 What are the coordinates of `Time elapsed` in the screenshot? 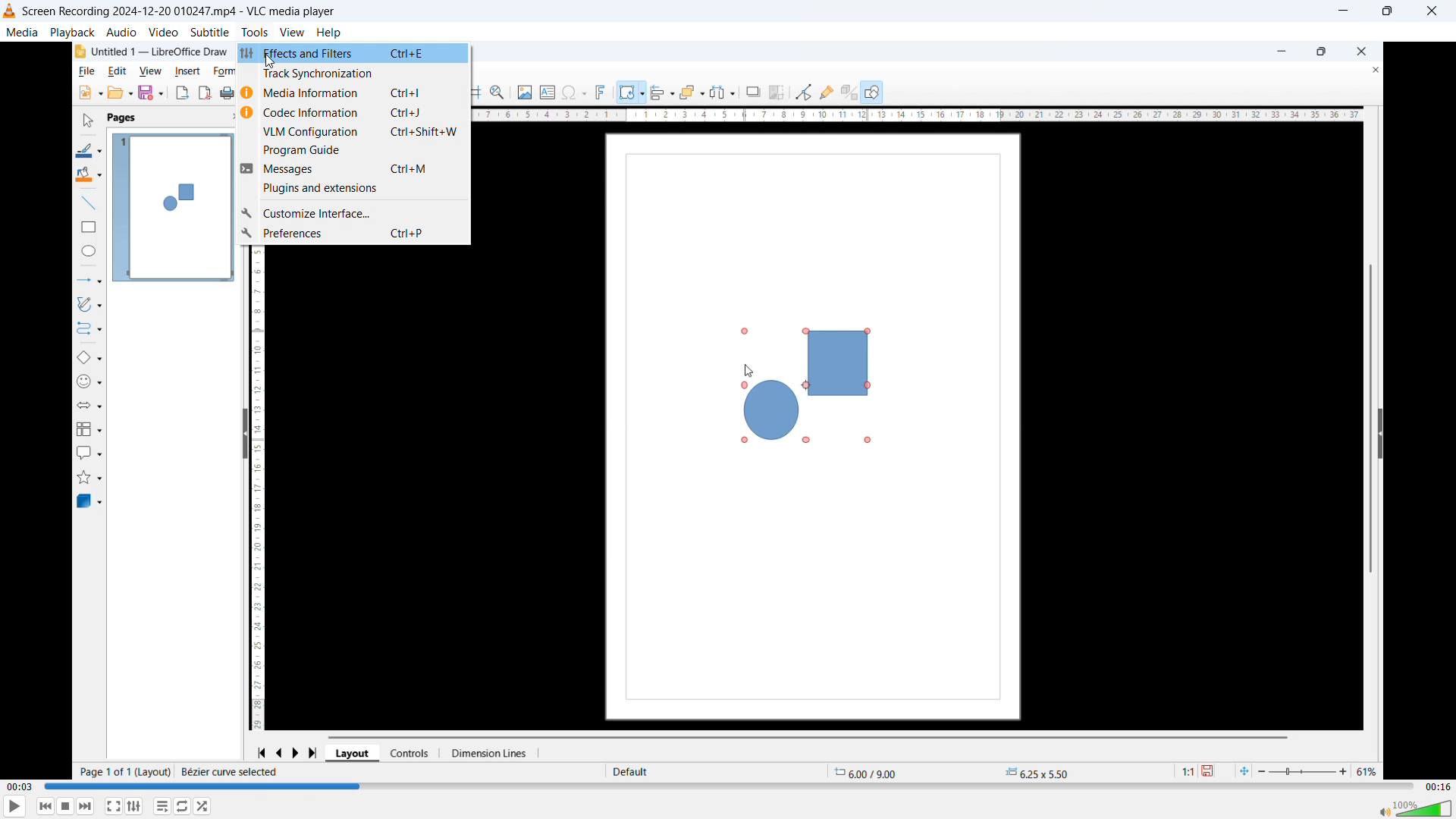 It's located at (21, 787).